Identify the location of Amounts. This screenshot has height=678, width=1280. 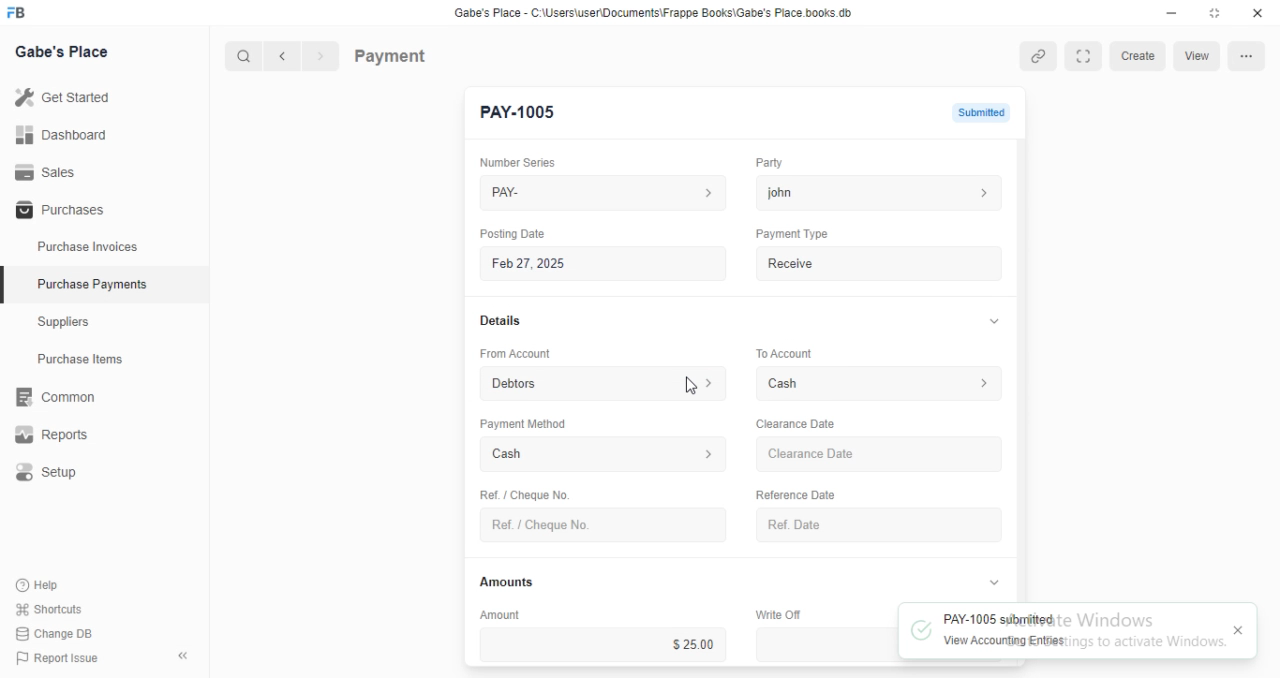
(502, 582).